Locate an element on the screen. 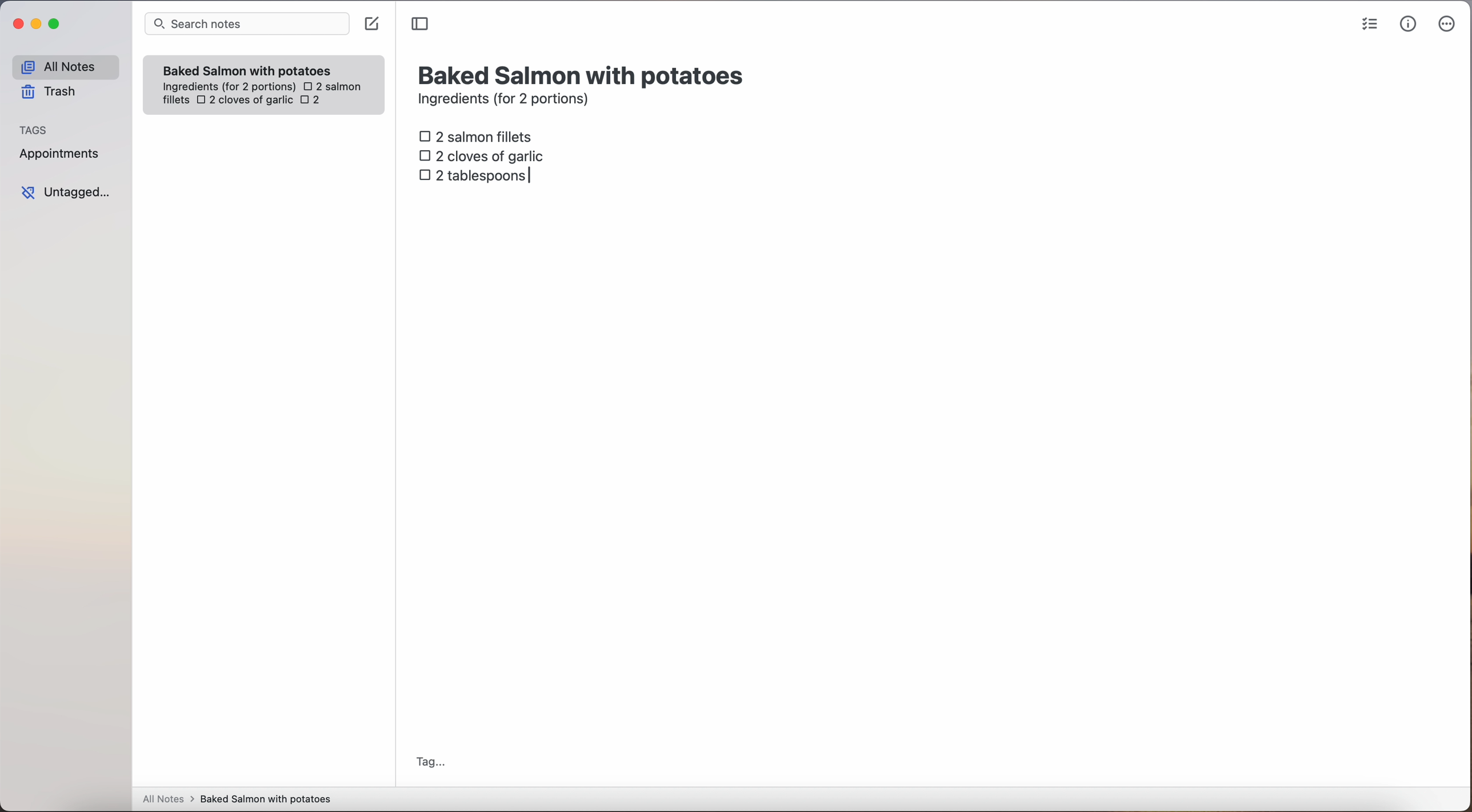 This screenshot has height=812, width=1472. 2 salmon fillets is located at coordinates (479, 135).